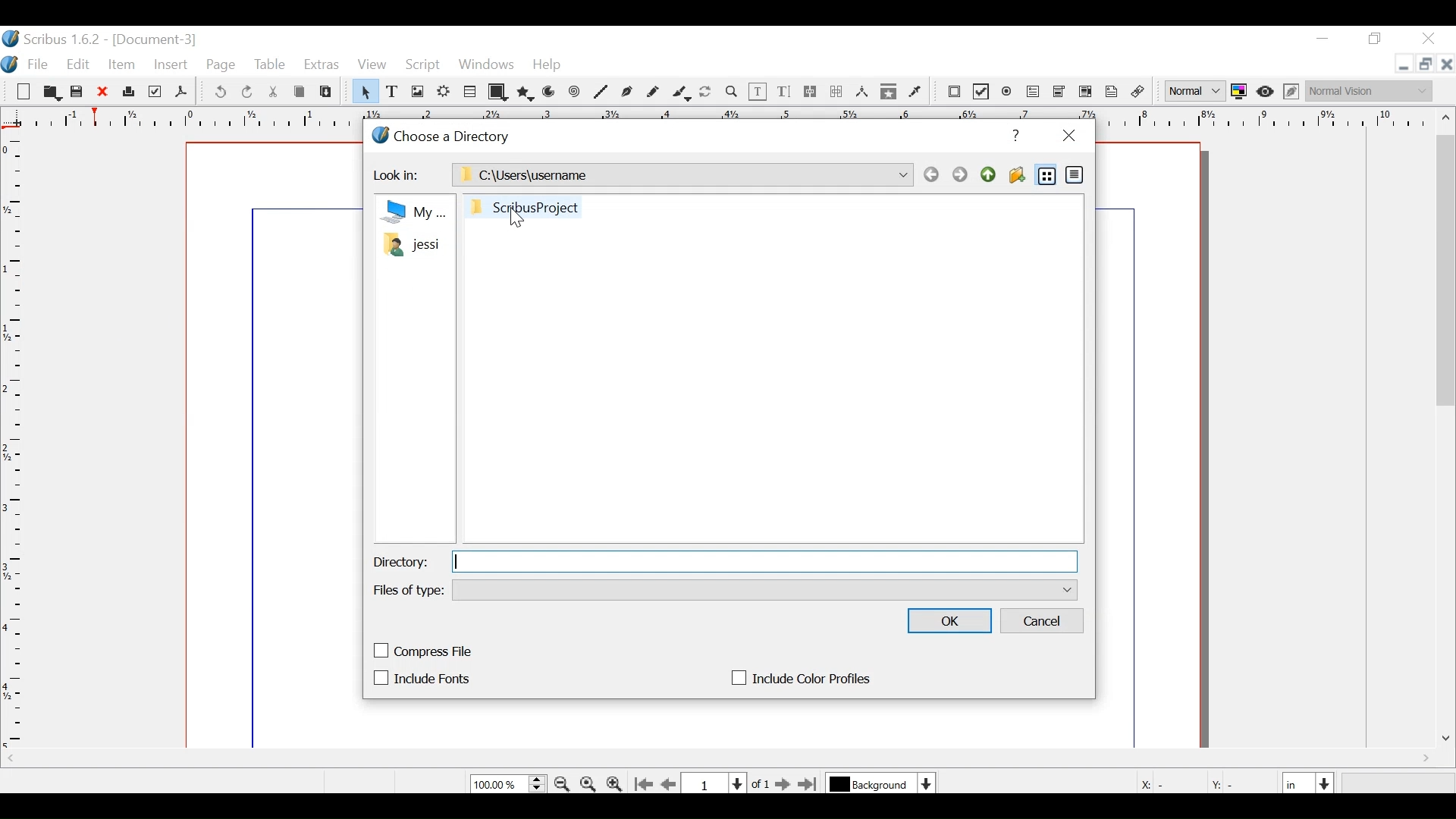 The height and width of the screenshot is (819, 1456). Describe the element at coordinates (784, 91) in the screenshot. I see `Edit Text with story editor` at that location.